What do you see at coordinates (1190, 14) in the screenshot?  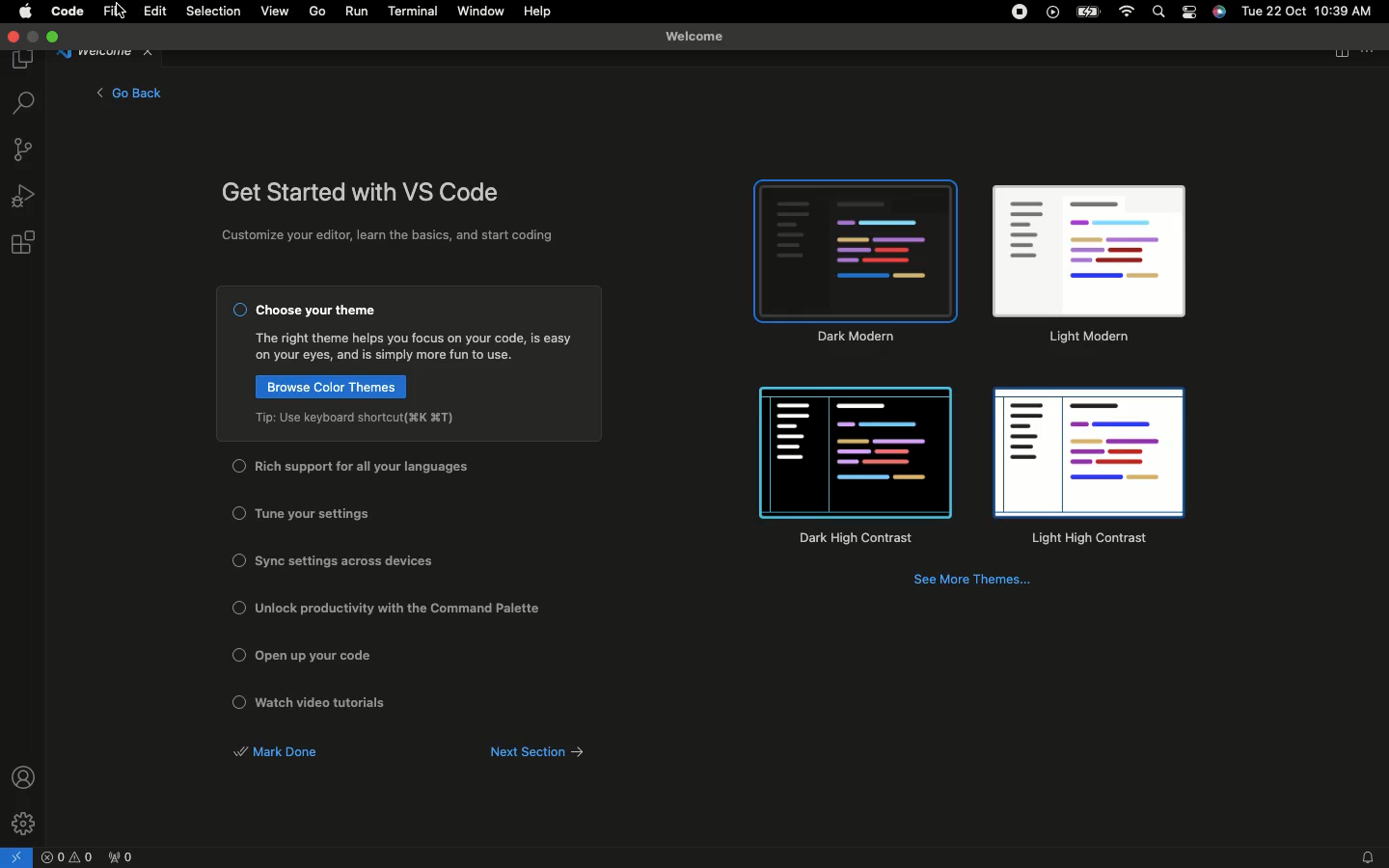 I see `Options` at bounding box center [1190, 14].